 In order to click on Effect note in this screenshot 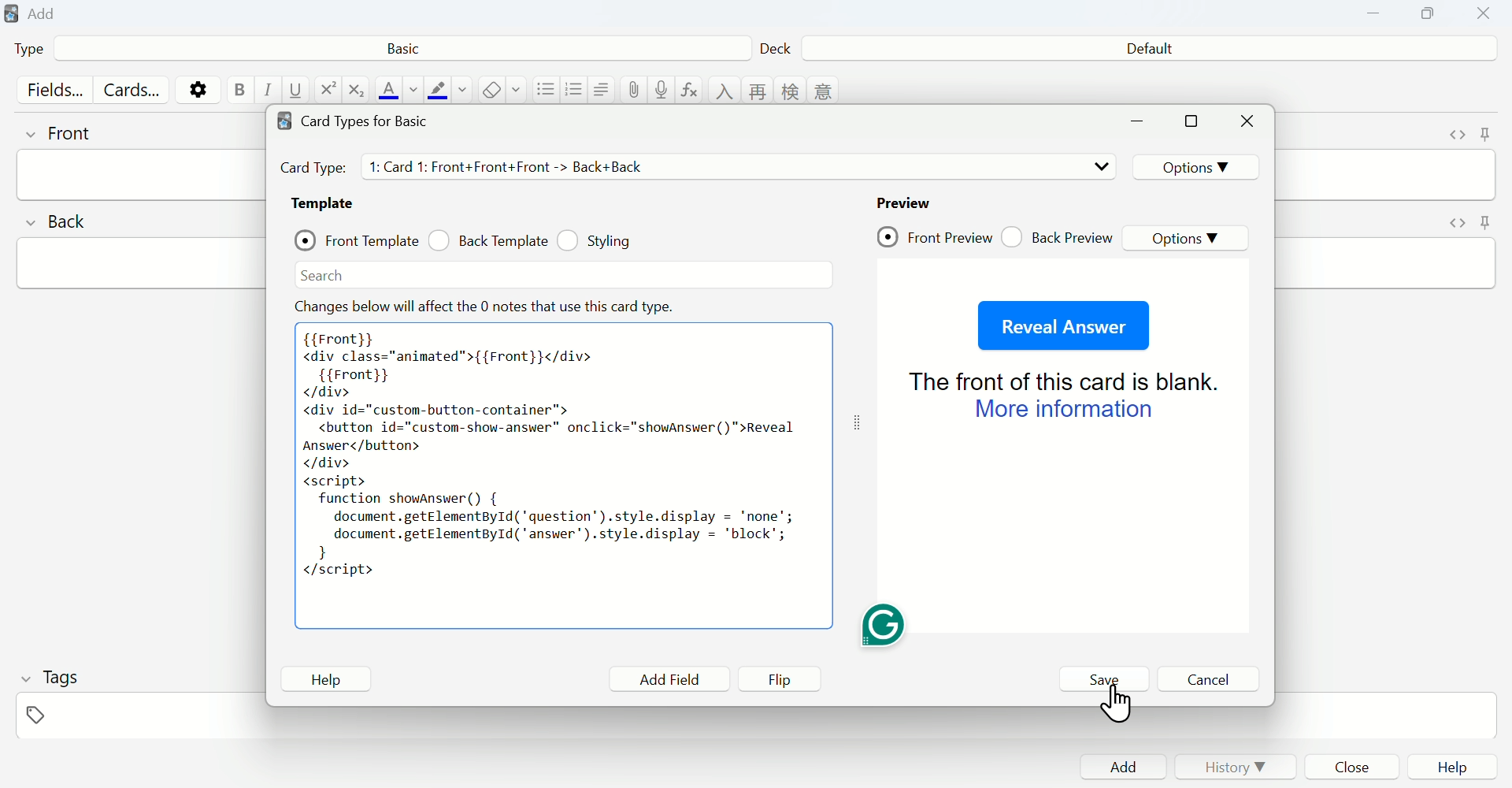, I will do `click(487, 305)`.